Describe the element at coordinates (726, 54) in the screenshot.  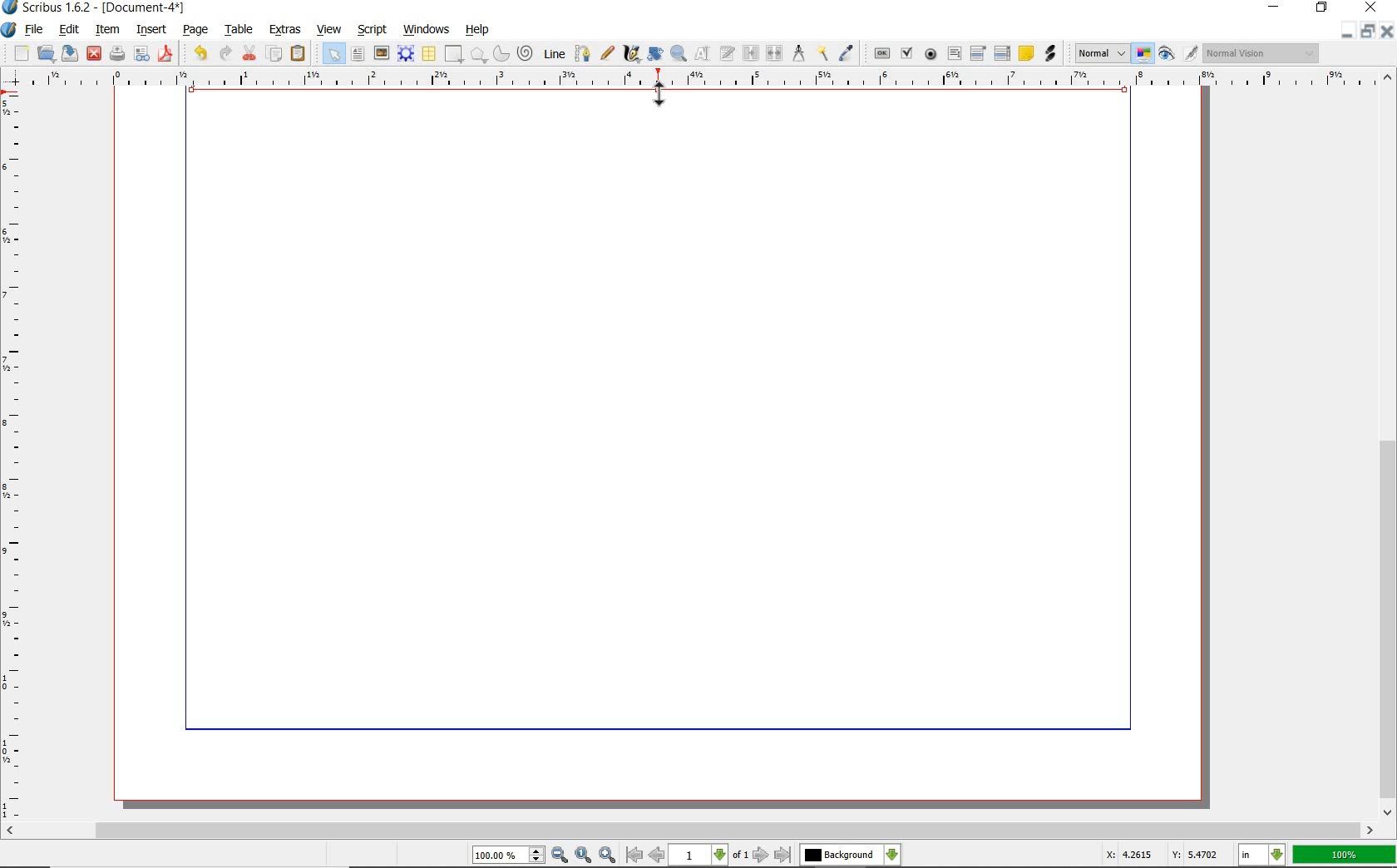
I see `edit text with story editor` at that location.